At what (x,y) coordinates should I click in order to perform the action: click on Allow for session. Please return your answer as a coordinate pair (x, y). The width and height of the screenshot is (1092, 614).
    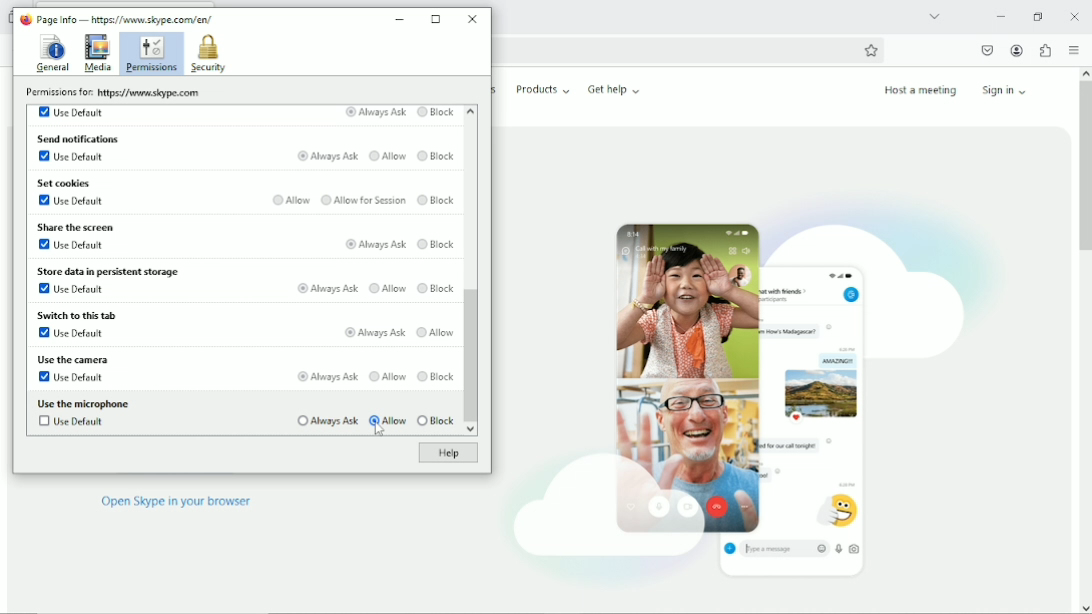
    Looking at the image, I should click on (363, 200).